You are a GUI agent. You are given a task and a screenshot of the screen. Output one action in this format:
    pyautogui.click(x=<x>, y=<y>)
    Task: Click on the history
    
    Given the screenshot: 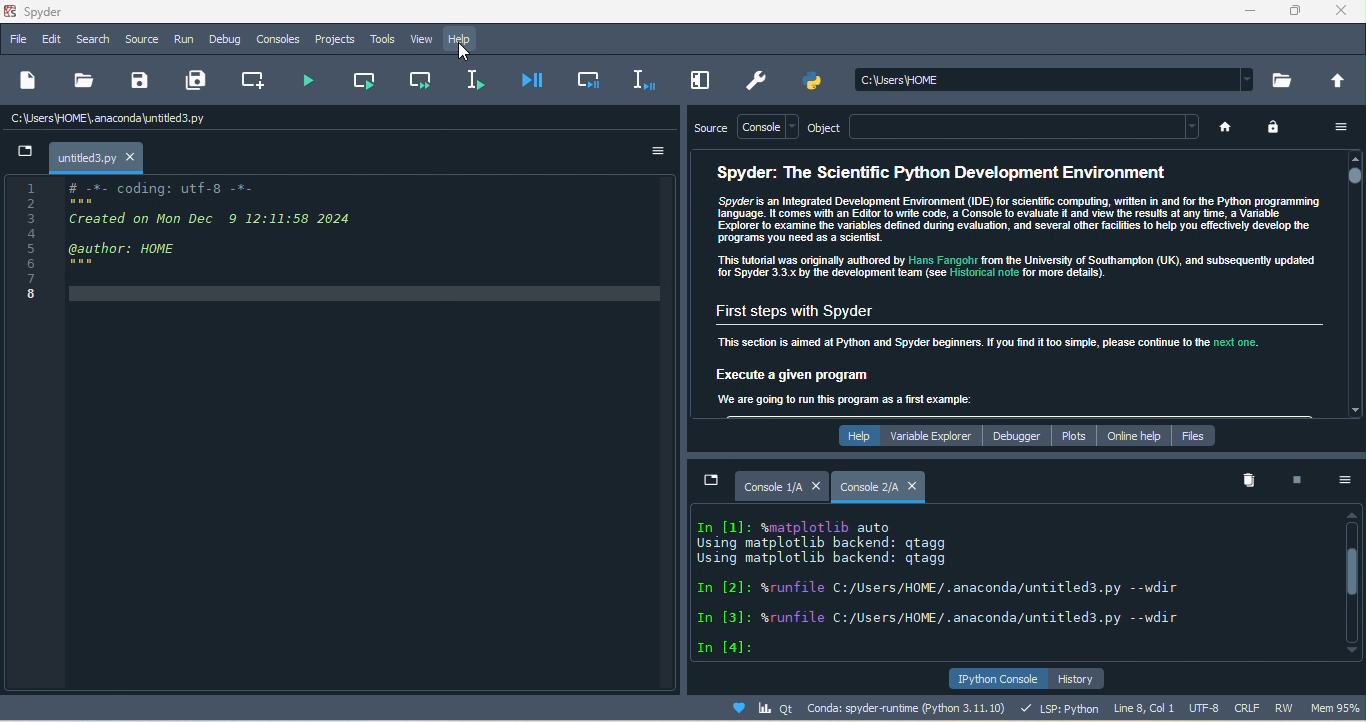 What is the action you would take?
    pyautogui.click(x=1089, y=677)
    